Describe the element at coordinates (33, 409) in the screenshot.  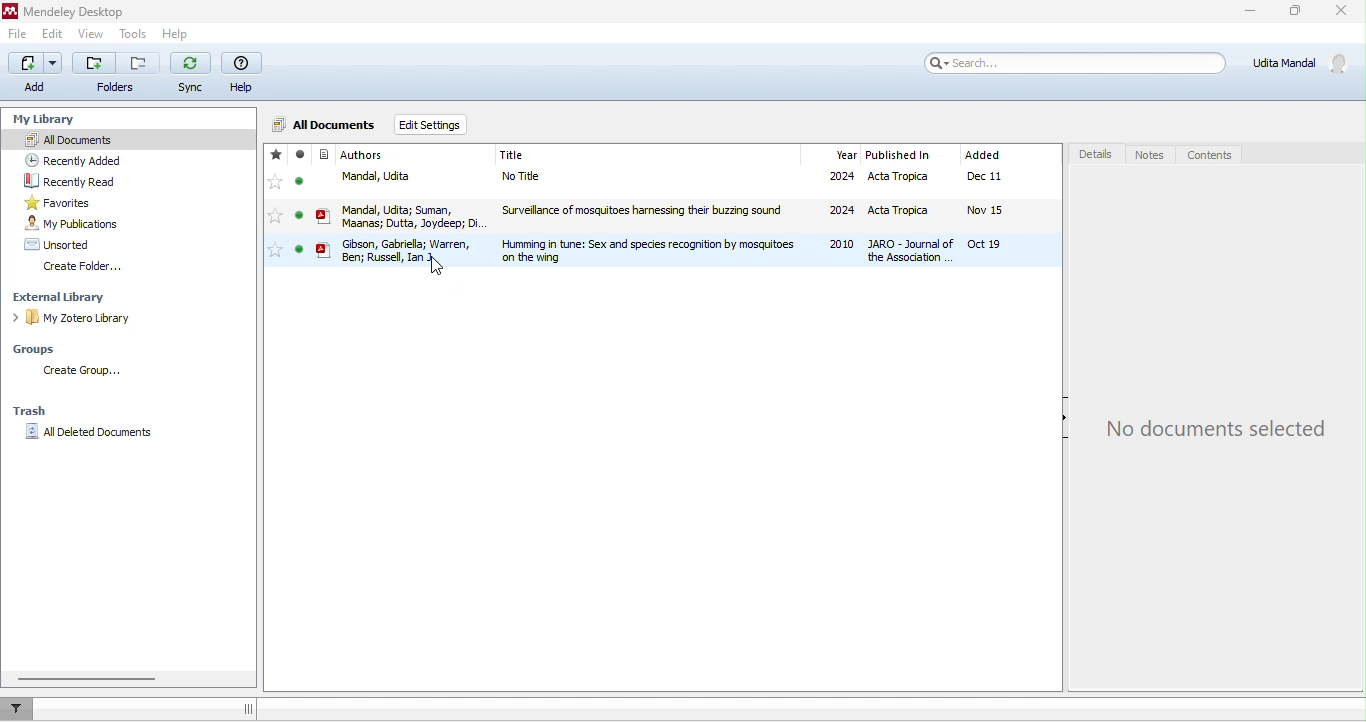
I see `trash` at that location.